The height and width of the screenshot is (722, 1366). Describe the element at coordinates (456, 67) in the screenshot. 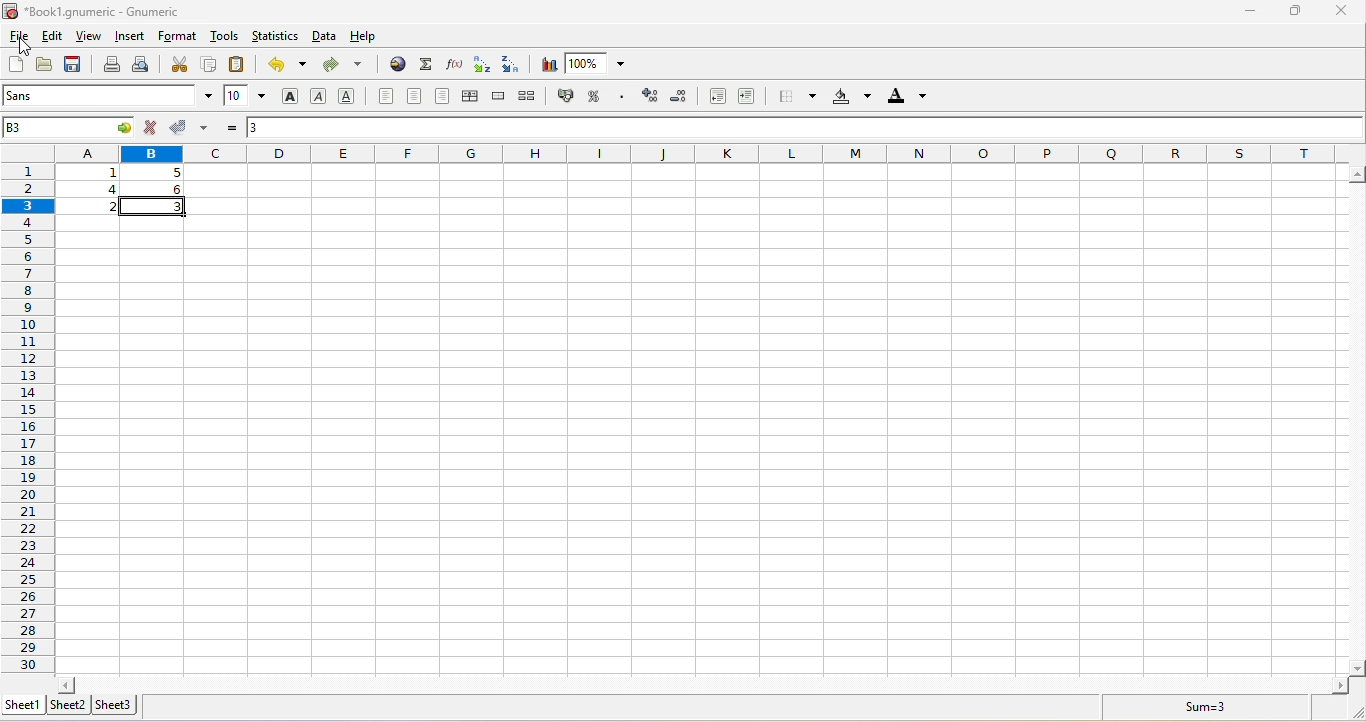

I see `edit the function` at that location.